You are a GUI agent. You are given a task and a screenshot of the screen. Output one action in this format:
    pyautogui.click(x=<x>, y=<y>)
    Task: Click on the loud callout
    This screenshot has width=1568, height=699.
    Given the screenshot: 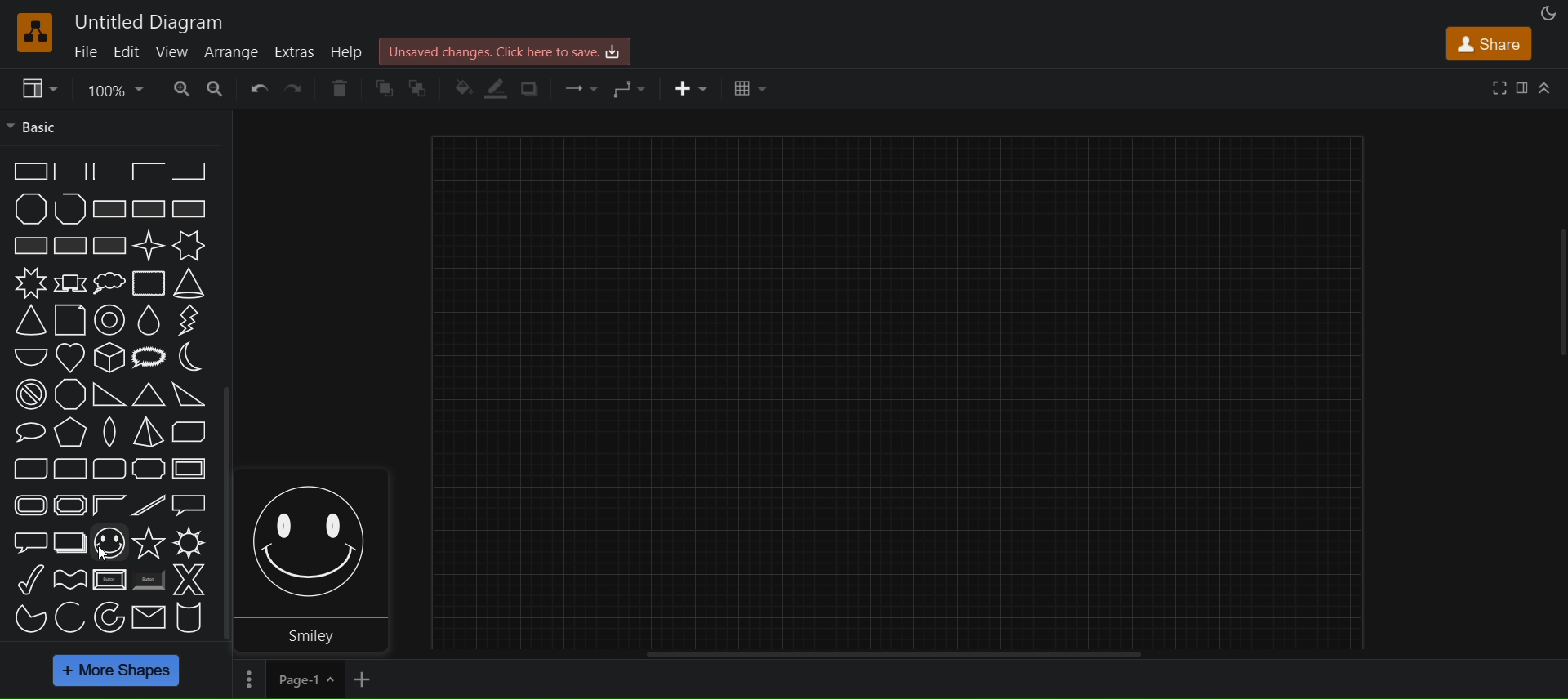 What is the action you would take?
    pyautogui.click(x=149, y=359)
    